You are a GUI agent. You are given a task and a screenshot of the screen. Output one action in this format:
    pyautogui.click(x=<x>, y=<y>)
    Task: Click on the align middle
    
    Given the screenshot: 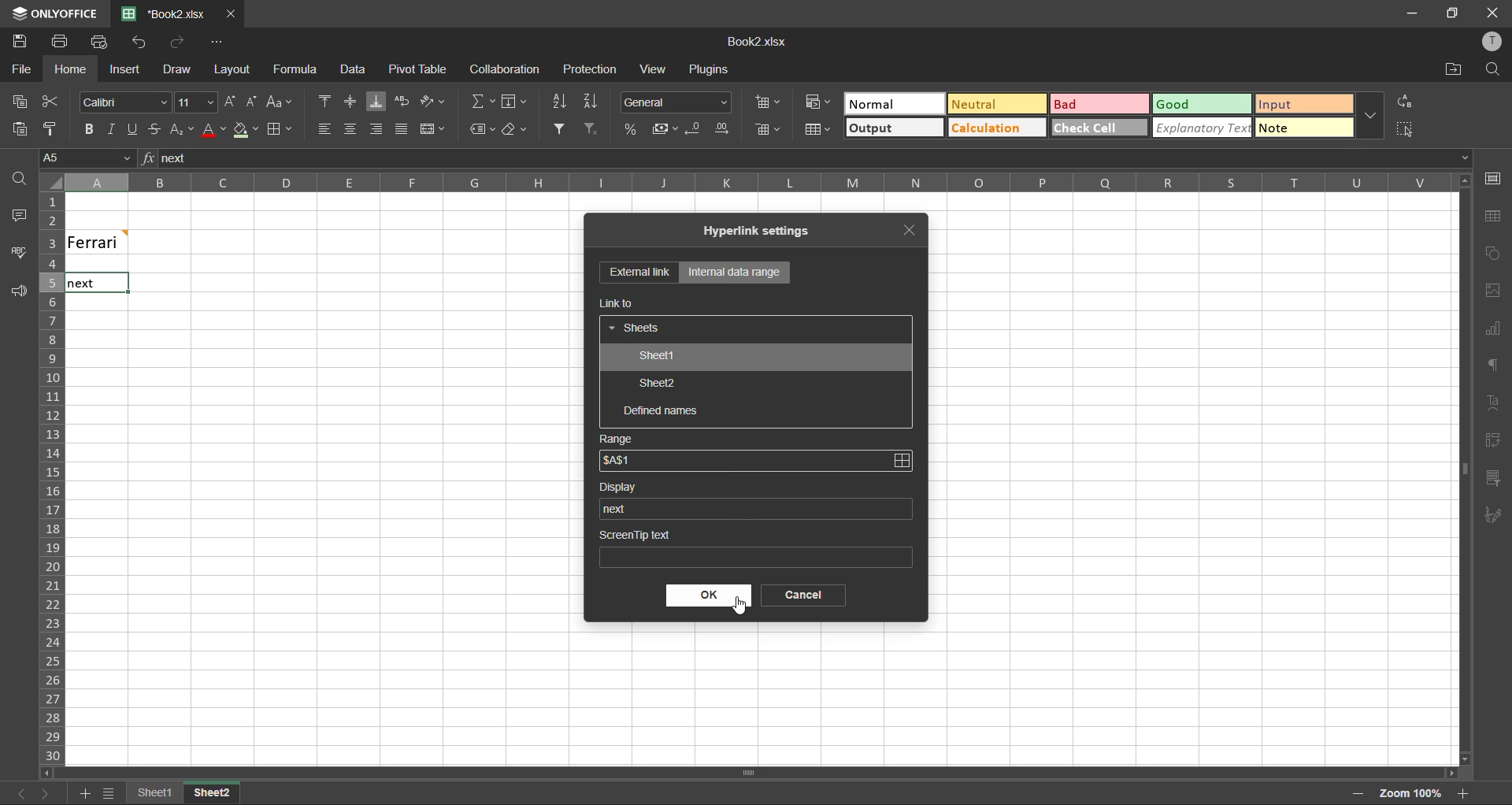 What is the action you would take?
    pyautogui.click(x=352, y=101)
    